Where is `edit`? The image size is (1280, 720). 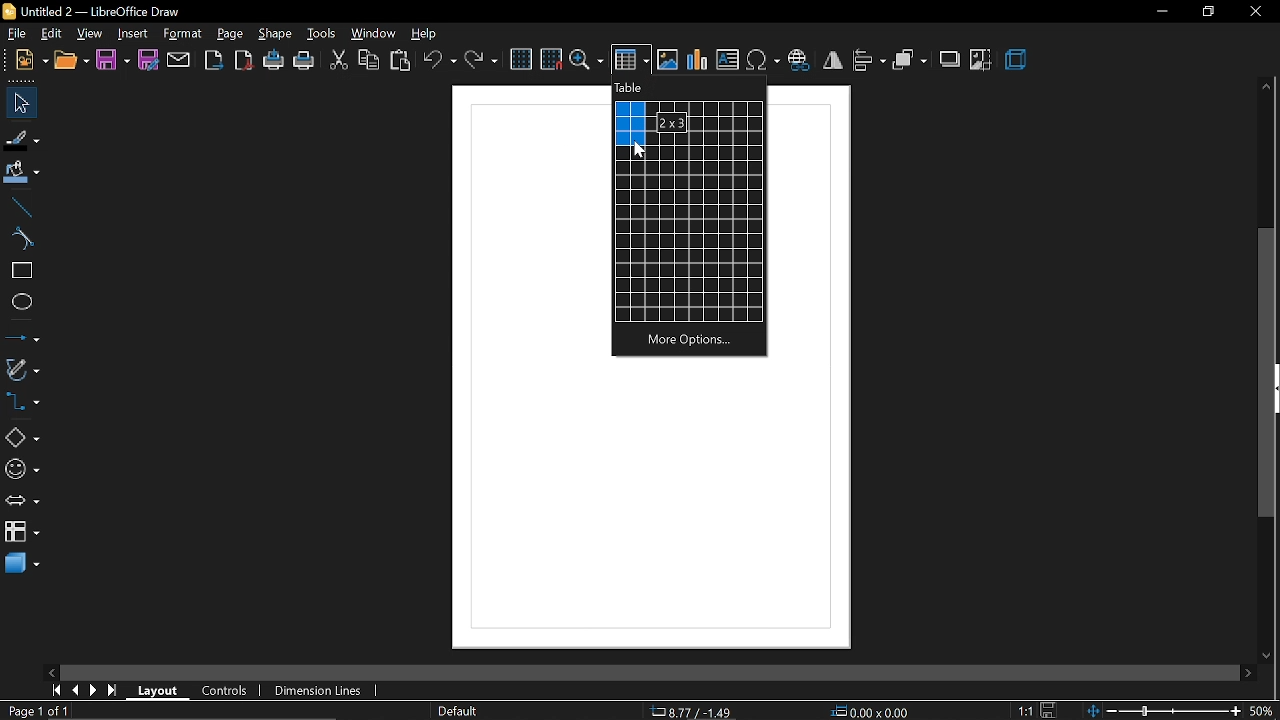
edit is located at coordinates (52, 35).